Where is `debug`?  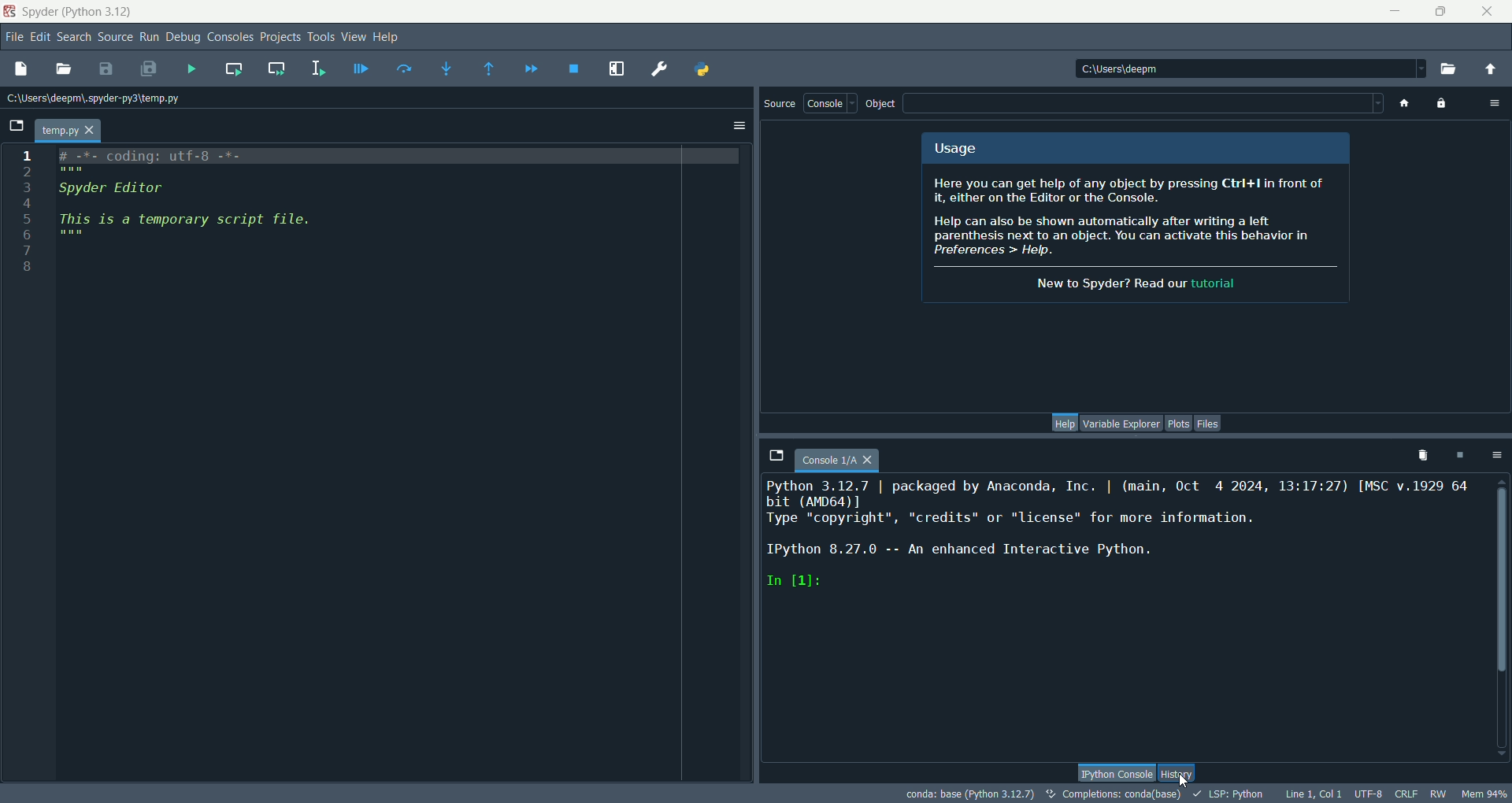
debug is located at coordinates (182, 38).